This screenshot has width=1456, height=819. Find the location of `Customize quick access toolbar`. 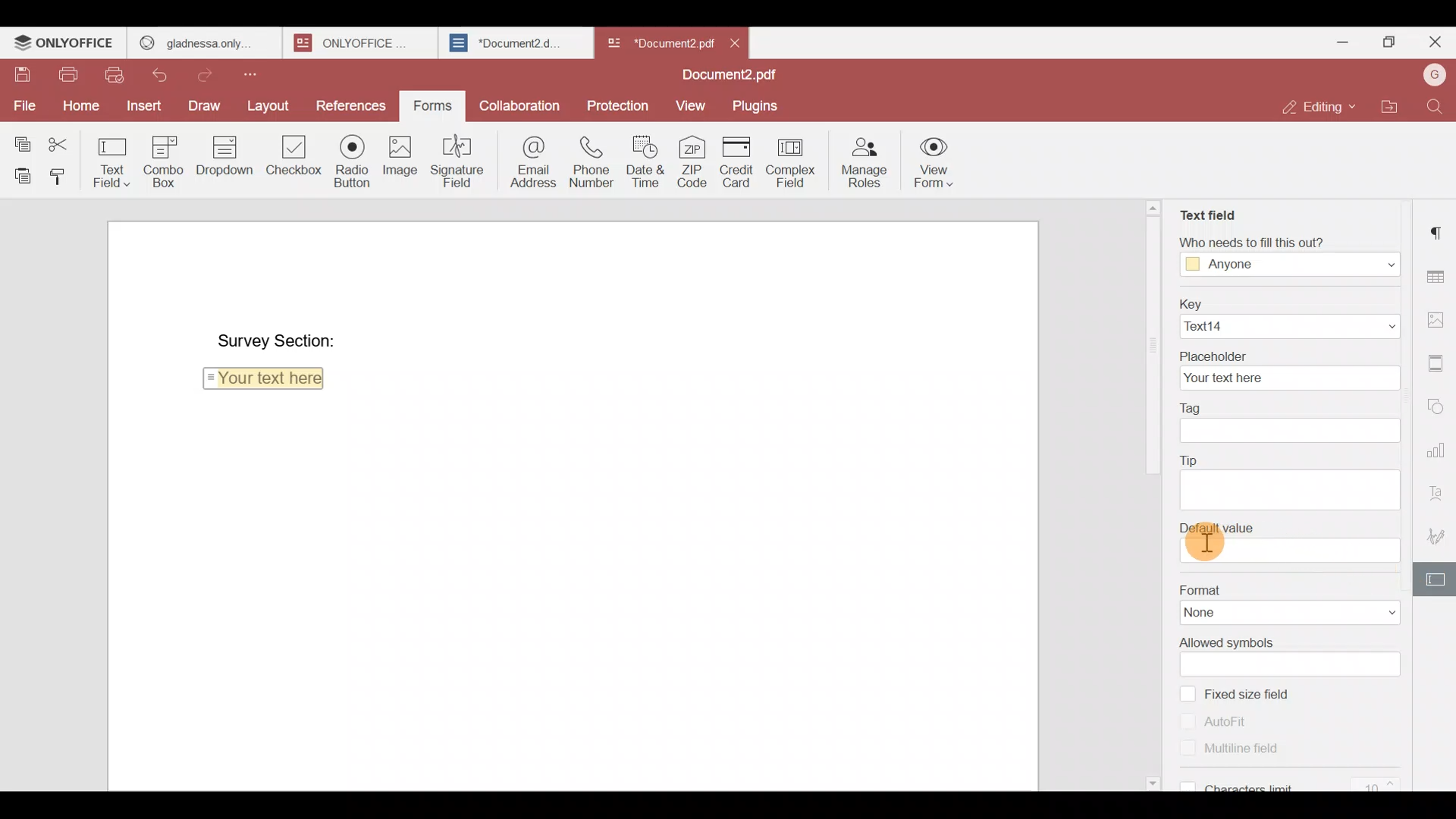

Customize quick access toolbar is located at coordinates (265, 73).